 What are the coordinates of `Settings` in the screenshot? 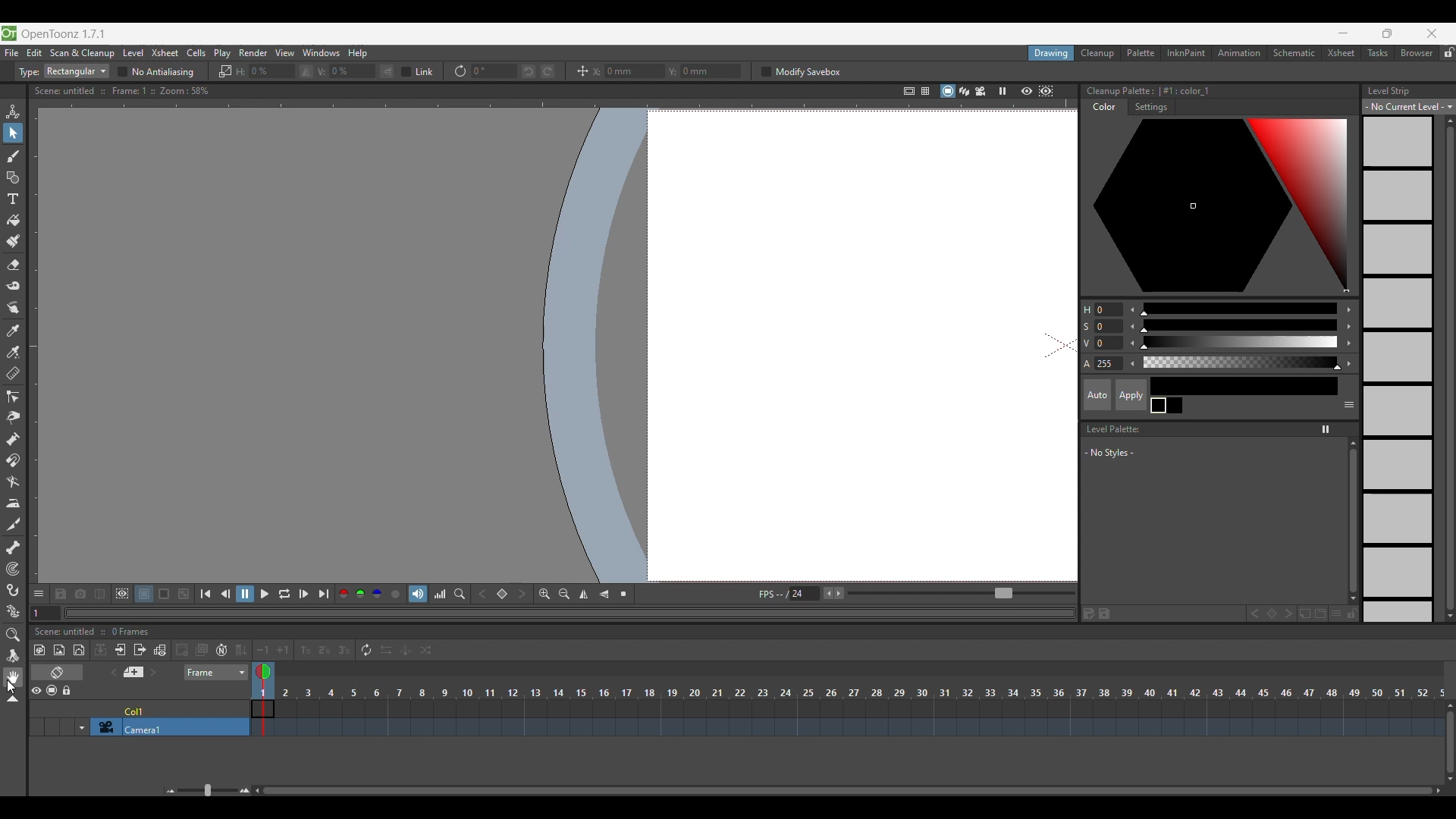 It's located at (1151, 106).